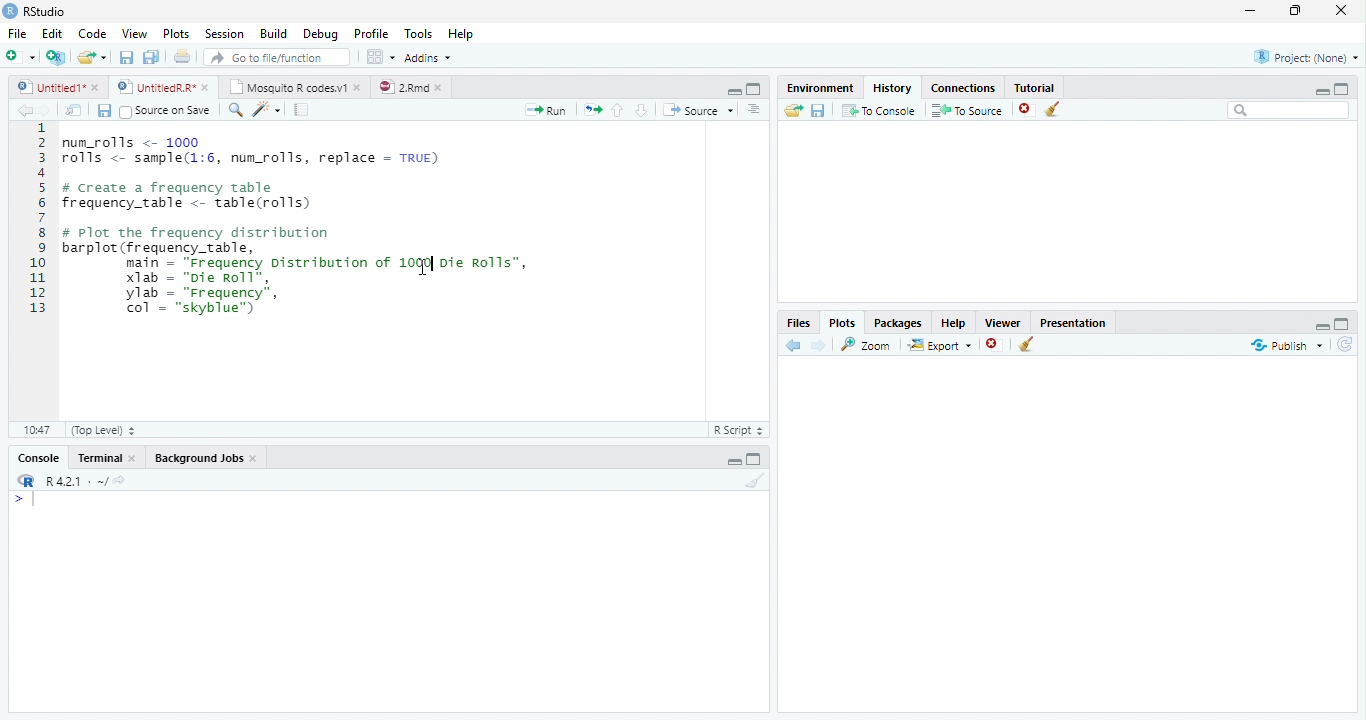 Image resolution: width=1366 pixels, height=720 pixels. I want to click on Compile Report, so click(303, 109).